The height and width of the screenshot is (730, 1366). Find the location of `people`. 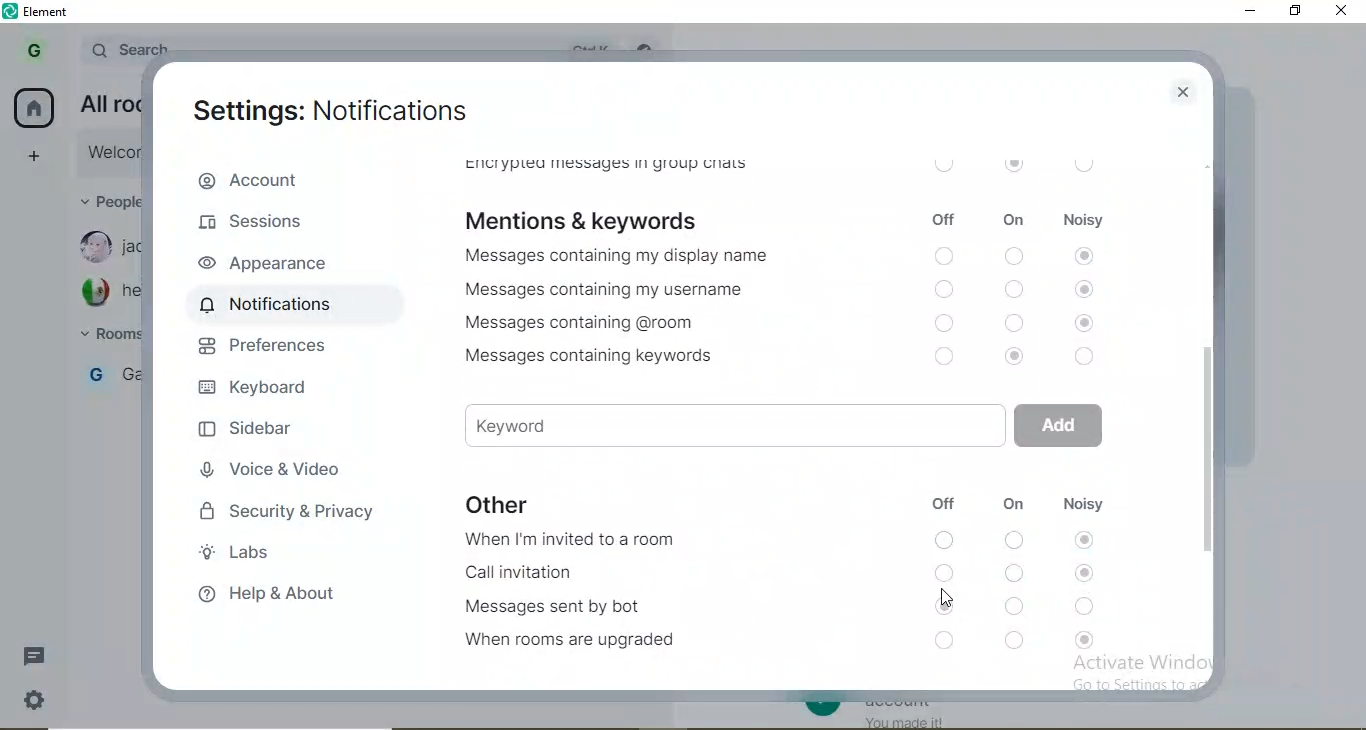

people is located at coordinates (110, 198).